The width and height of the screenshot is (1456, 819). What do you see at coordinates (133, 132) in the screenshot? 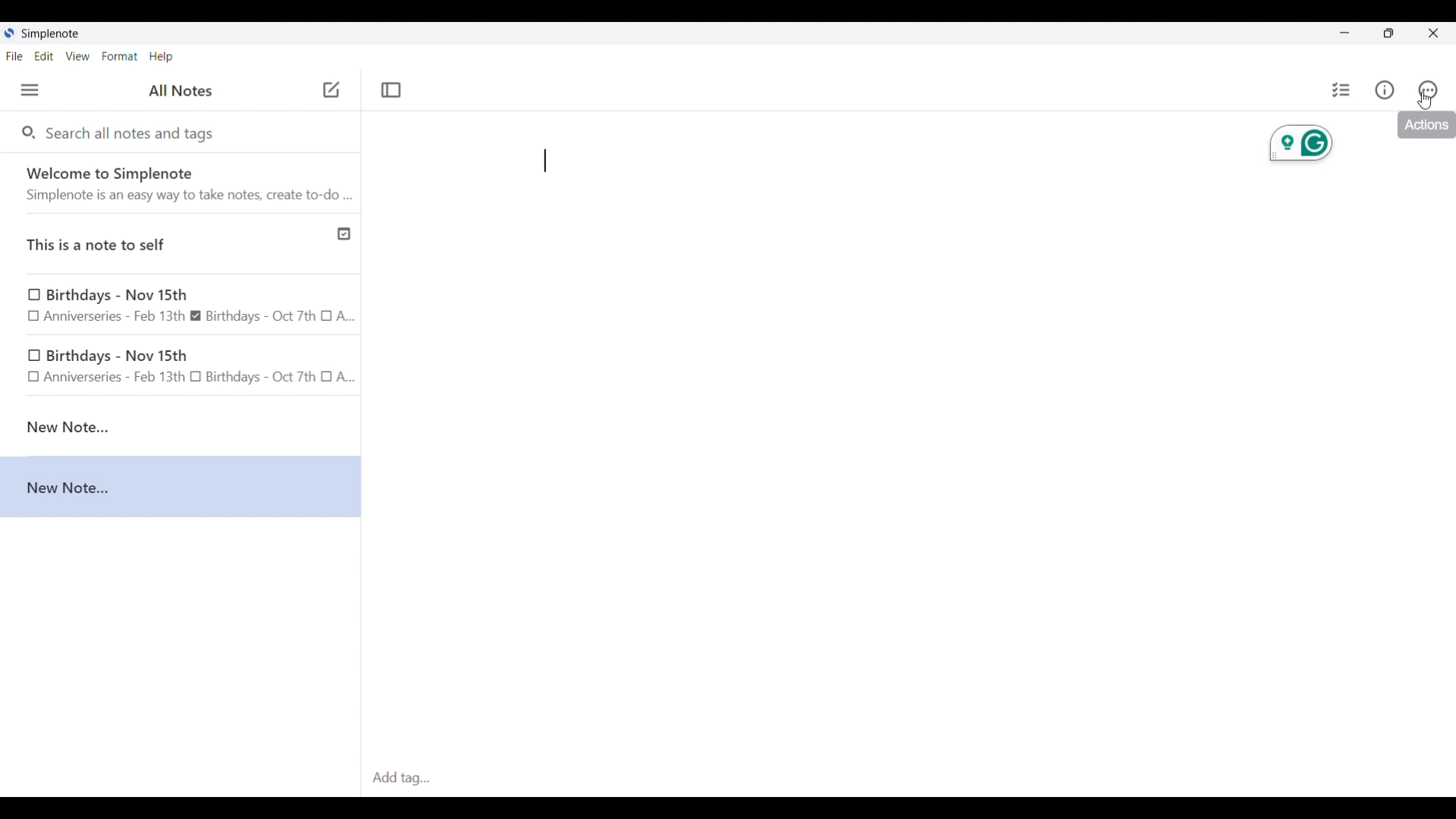
I see `Search all notes and tags` at bounding box center [133, 132].